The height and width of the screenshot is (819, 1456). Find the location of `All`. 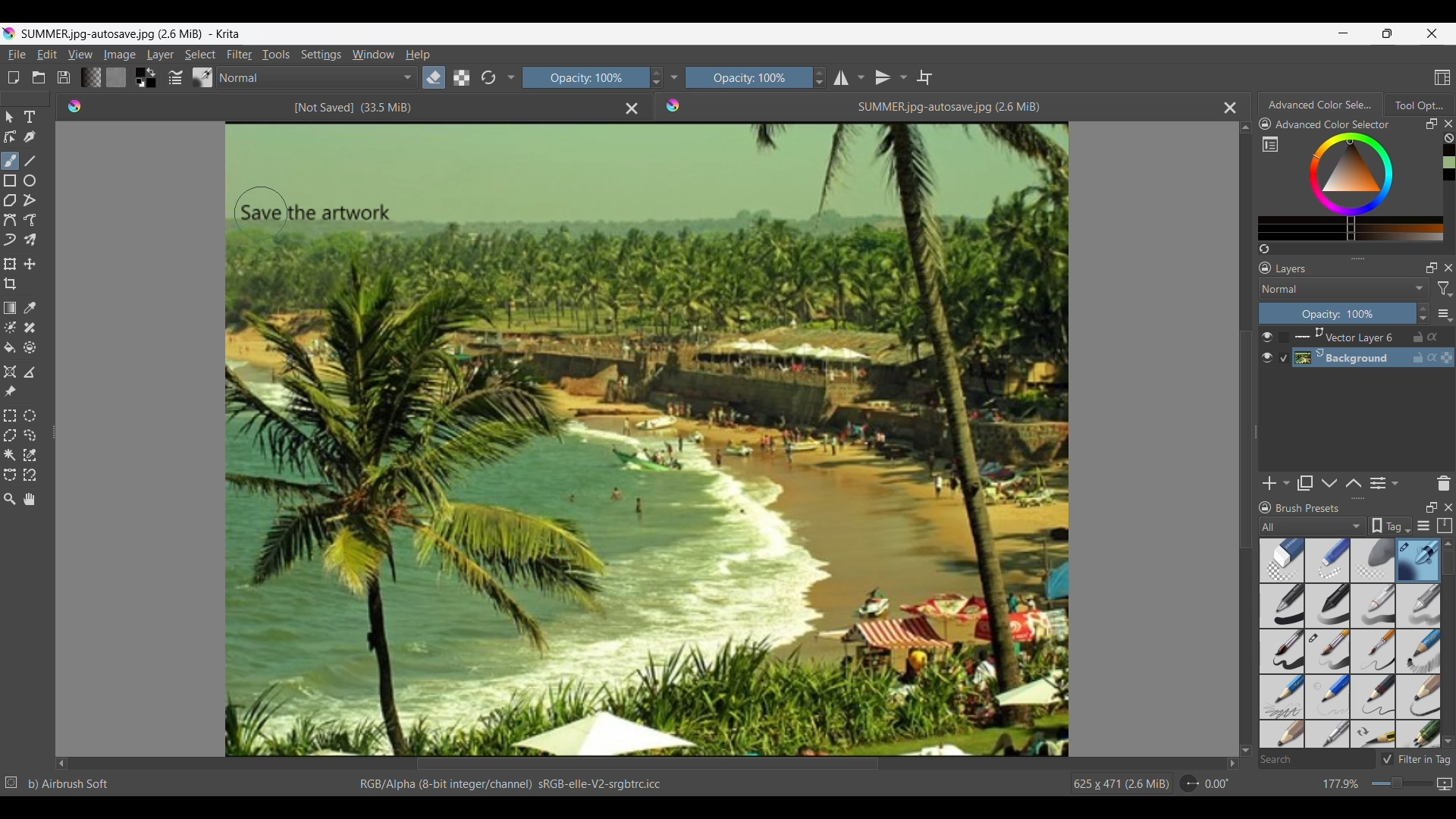

All is located at coordinates (1312, 526).